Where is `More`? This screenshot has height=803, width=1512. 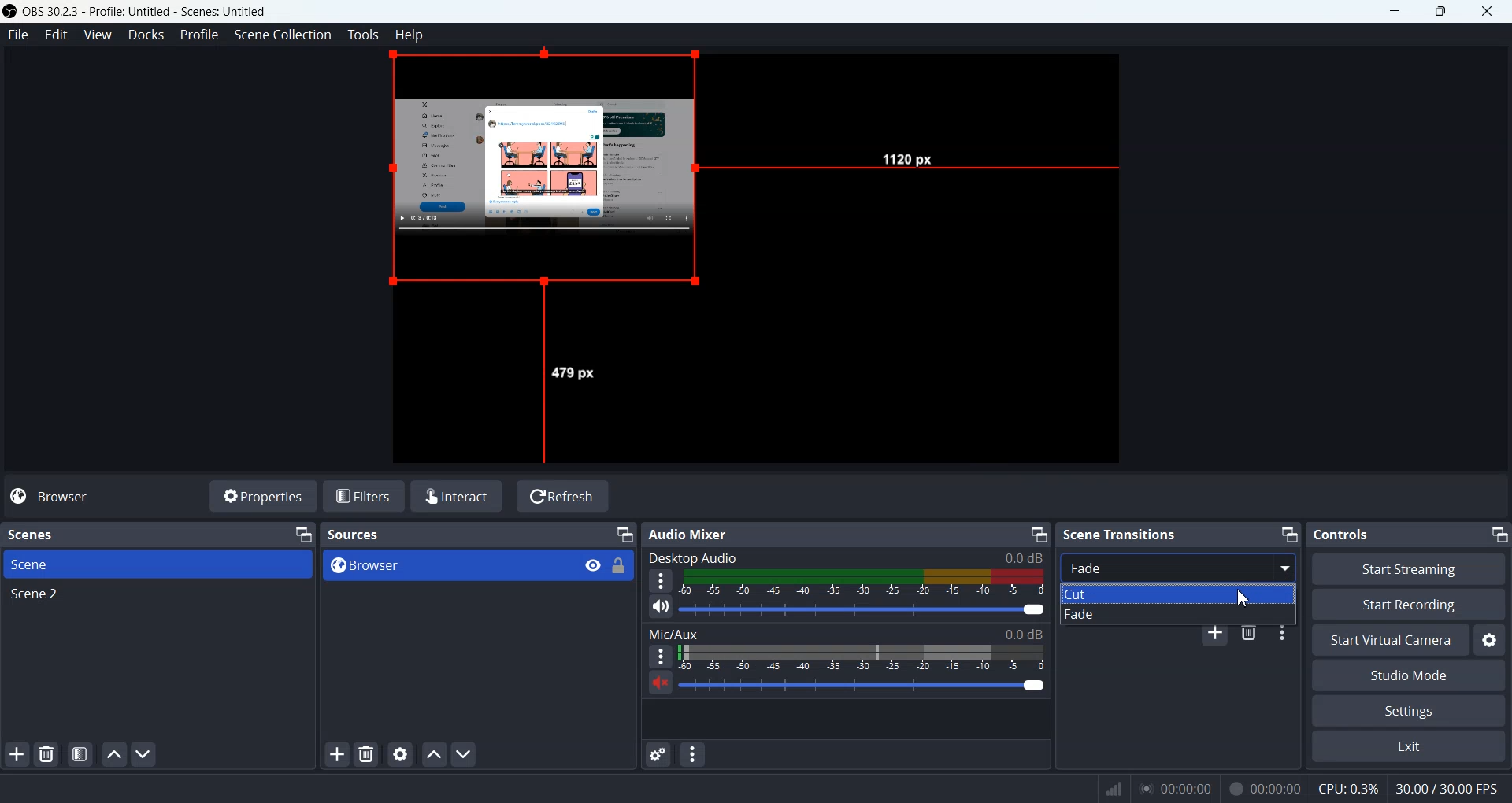
More is located at coordinates (661, 580).